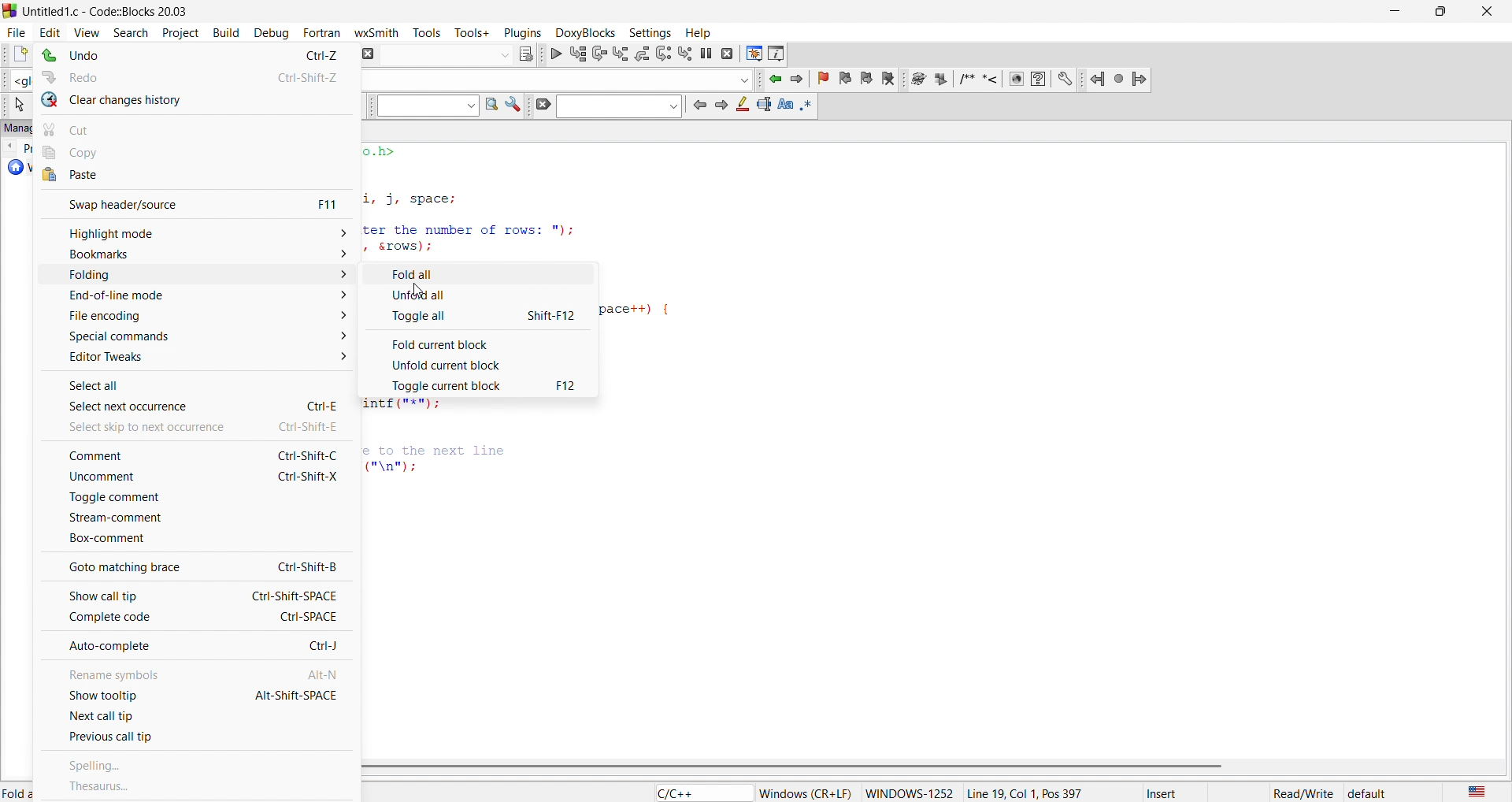 This screenshot has height=802, width=1512. I want to click on project, so click(177, 31).